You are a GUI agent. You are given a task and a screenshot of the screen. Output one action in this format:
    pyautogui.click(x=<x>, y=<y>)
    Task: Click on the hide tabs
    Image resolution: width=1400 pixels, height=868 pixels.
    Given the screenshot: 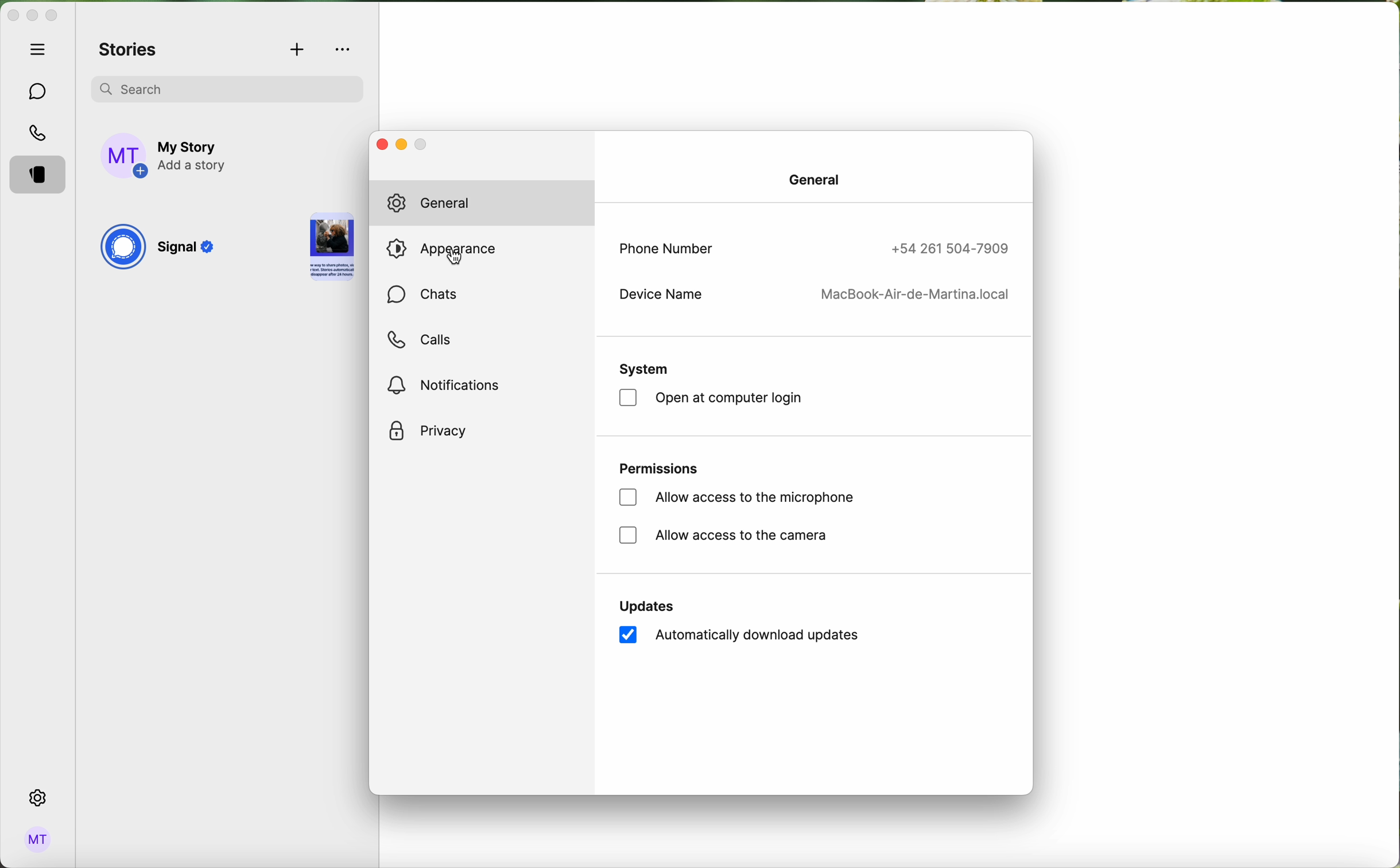 What is the action you would take?
    pyautogui.click(x=41, y=49)
    